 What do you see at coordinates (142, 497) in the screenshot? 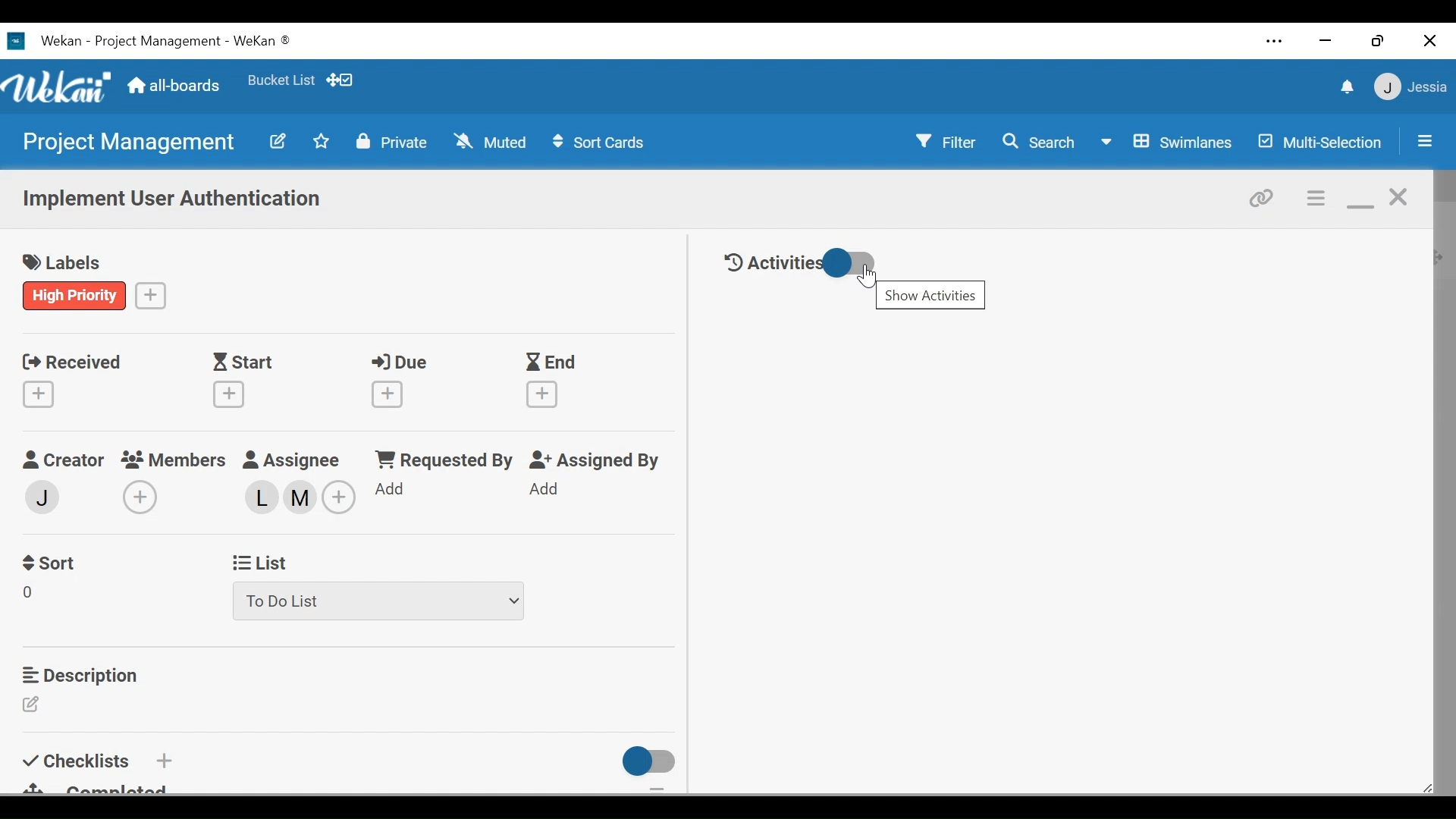
I see `Add` at bounding box center [142, 497].